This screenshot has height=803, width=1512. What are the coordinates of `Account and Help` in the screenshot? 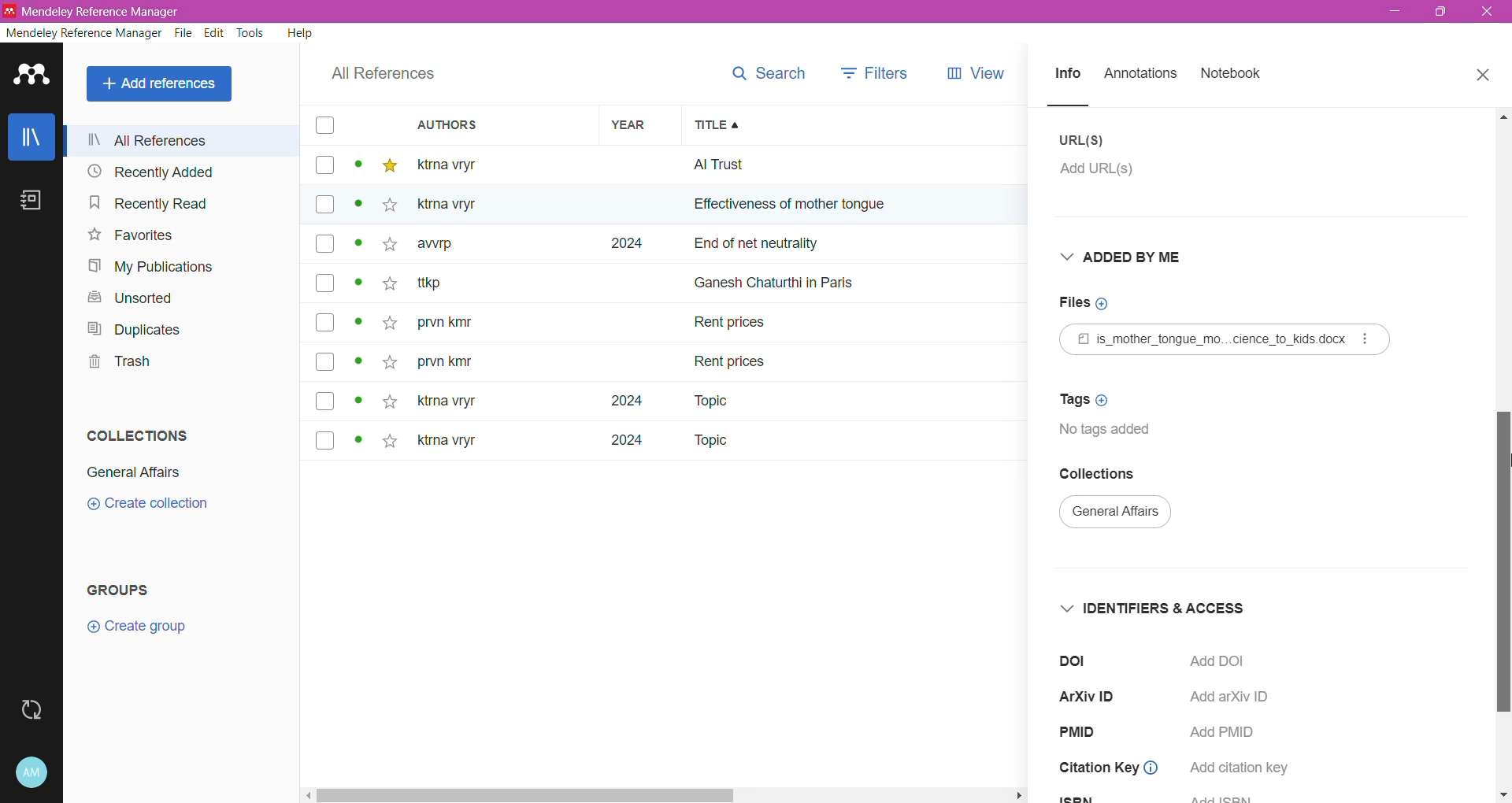 It's located at (32, 773).